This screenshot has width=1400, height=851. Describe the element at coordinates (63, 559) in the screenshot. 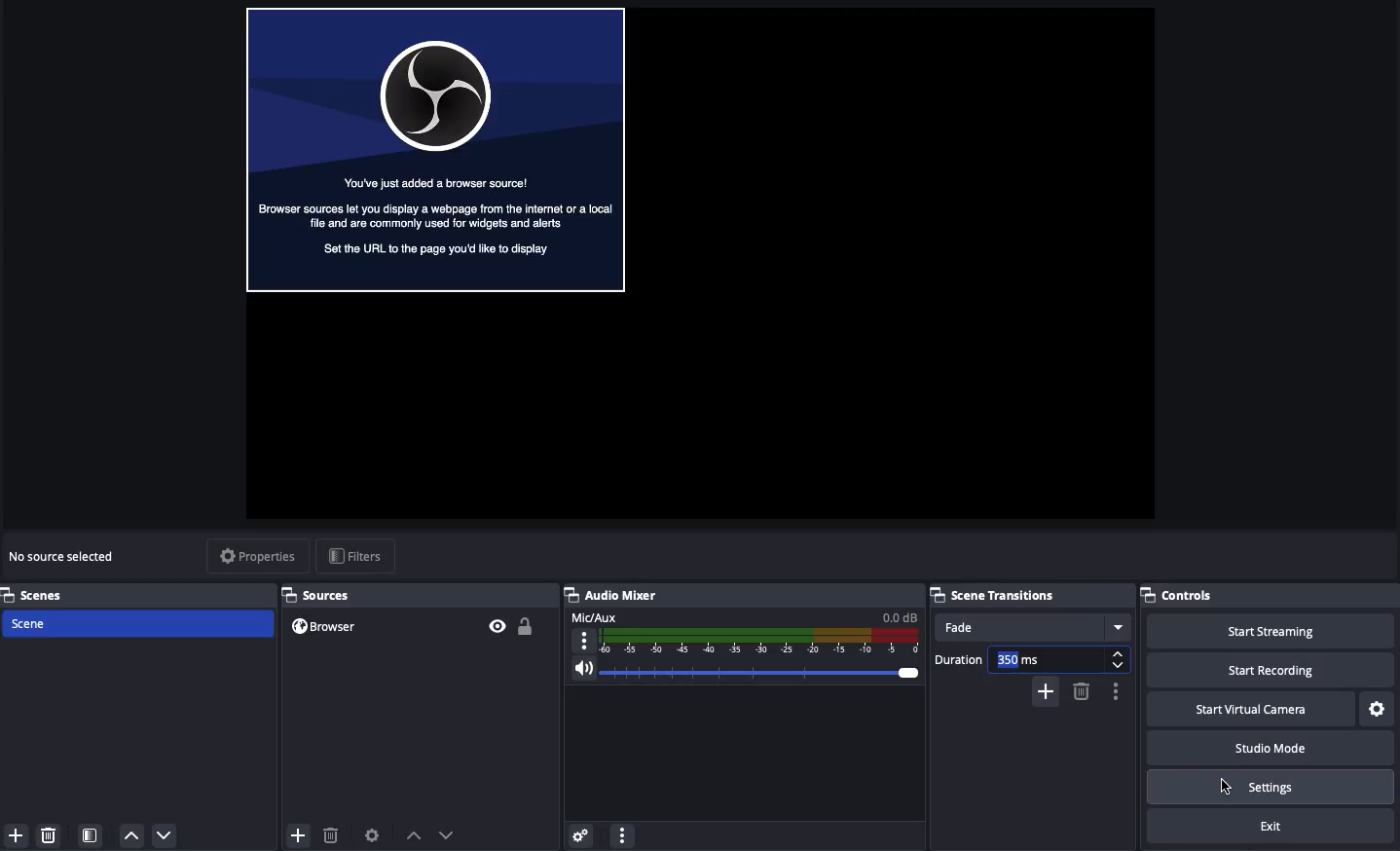

I see `No source selected` at that location.